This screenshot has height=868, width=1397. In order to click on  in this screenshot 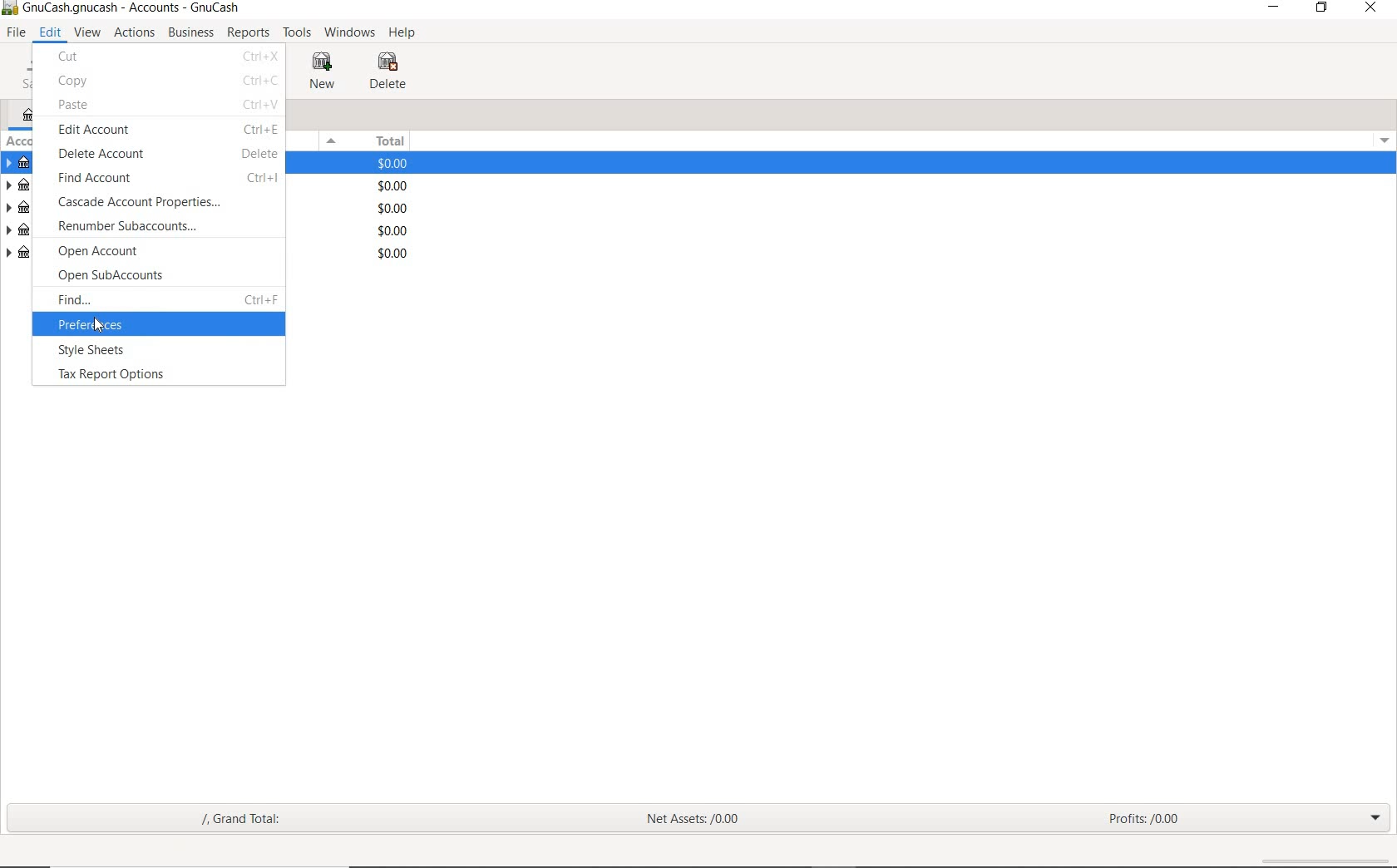, I will do `click(263, 129)`.